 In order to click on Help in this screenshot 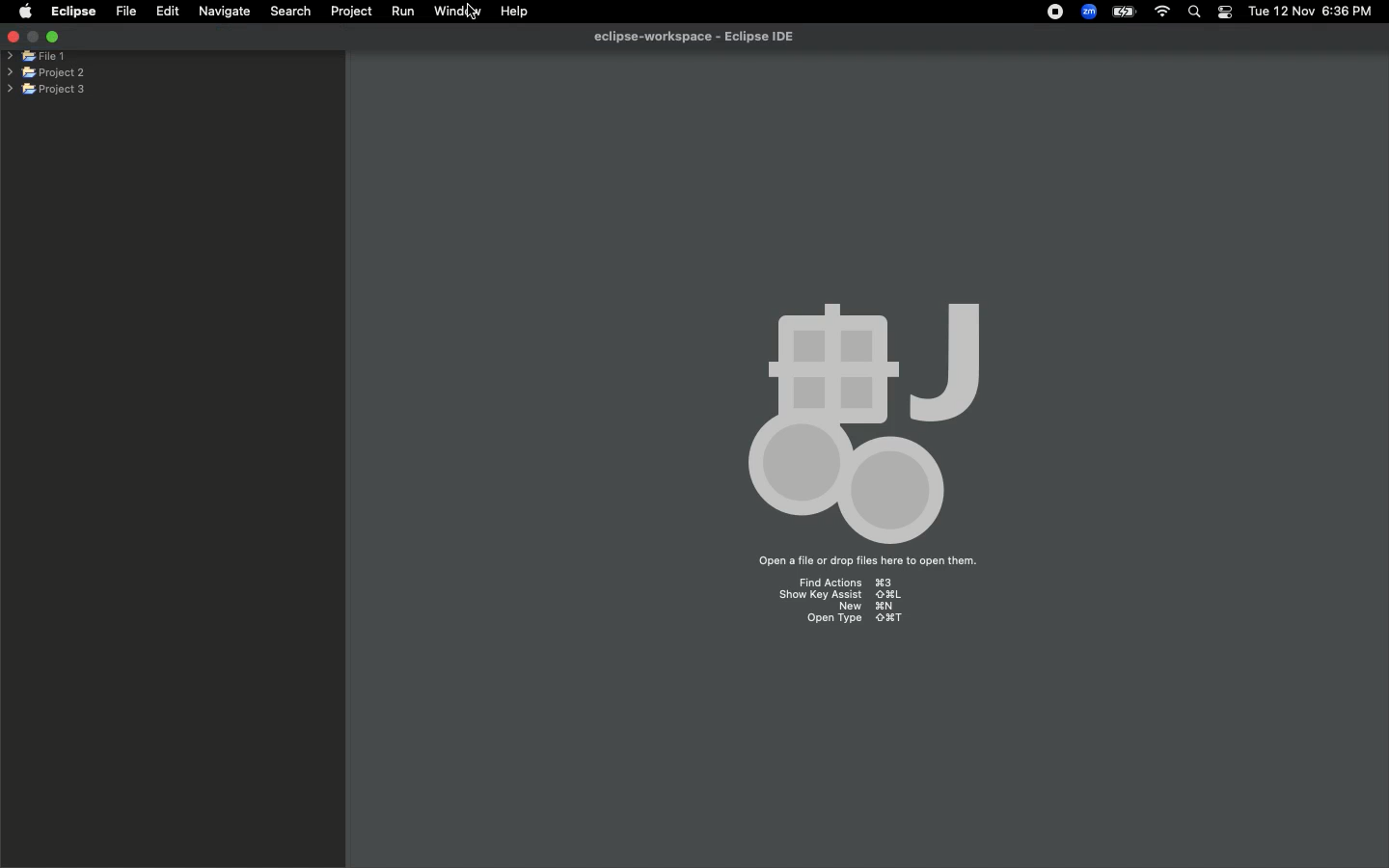, I will do `click(516, 12)`.